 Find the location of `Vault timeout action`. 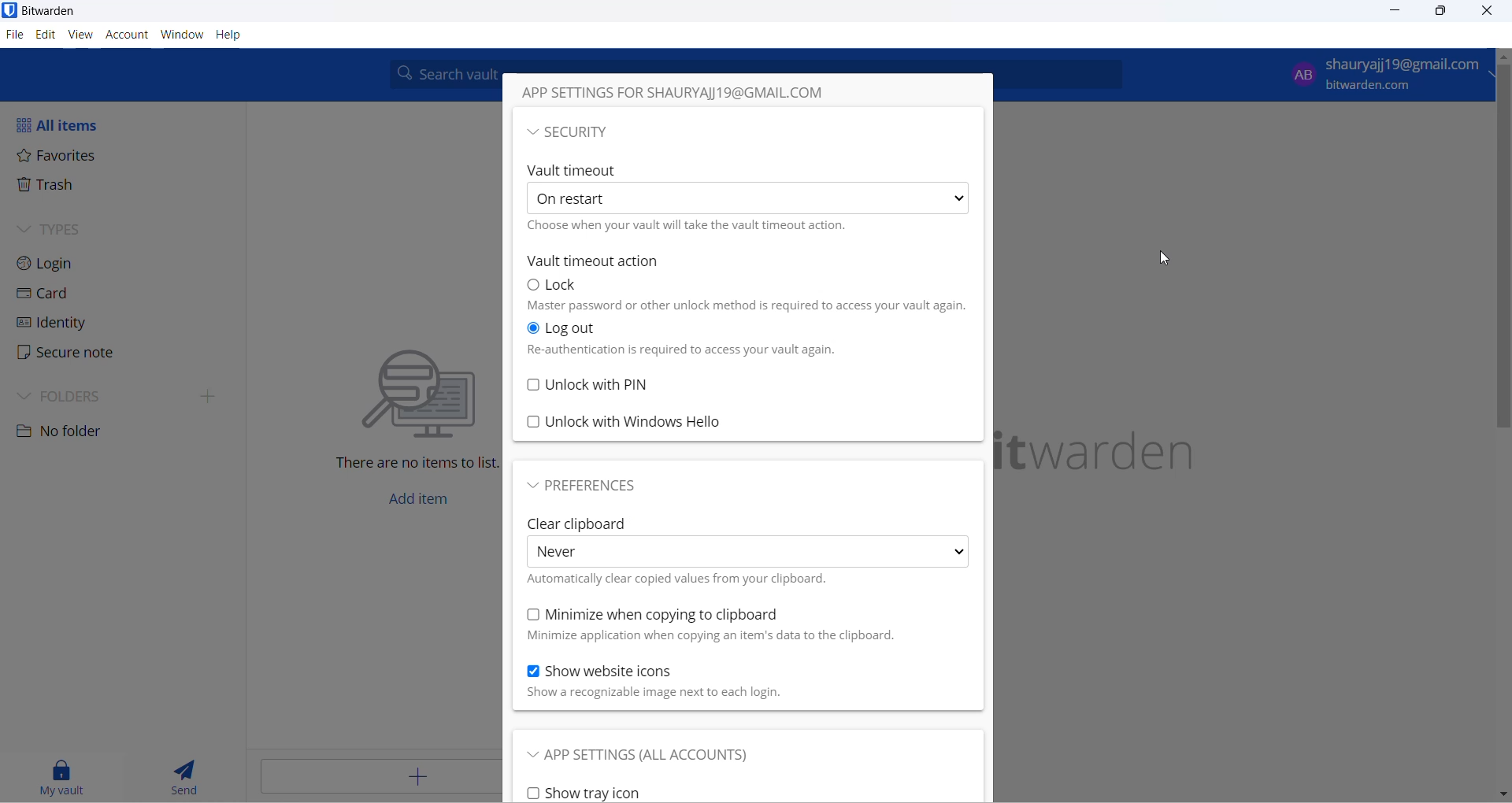

Vault timeout action is located at coordinates (591, 261).